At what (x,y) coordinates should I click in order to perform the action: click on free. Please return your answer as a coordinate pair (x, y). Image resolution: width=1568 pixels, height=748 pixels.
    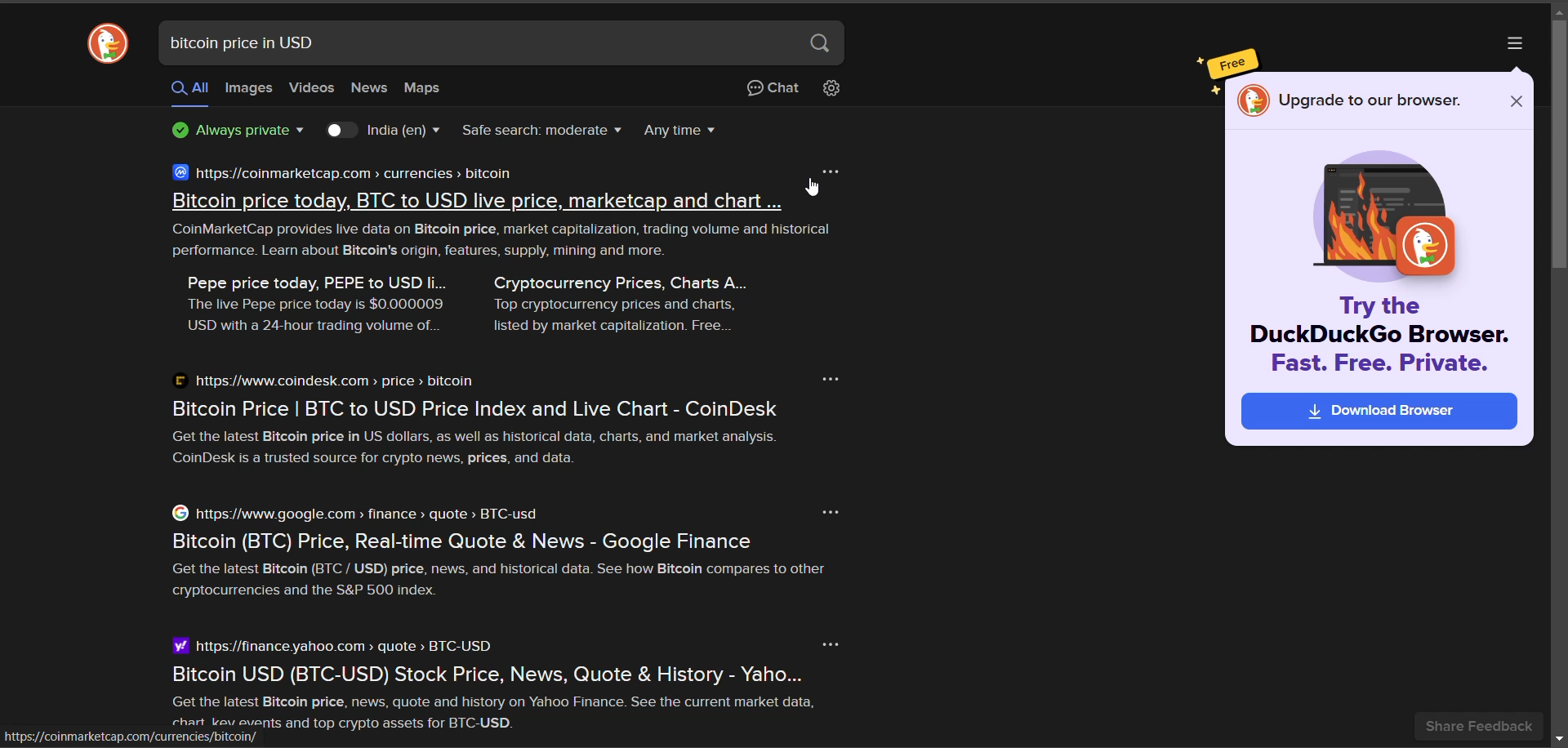
    Looking at the image, I should click on (1233, 64).